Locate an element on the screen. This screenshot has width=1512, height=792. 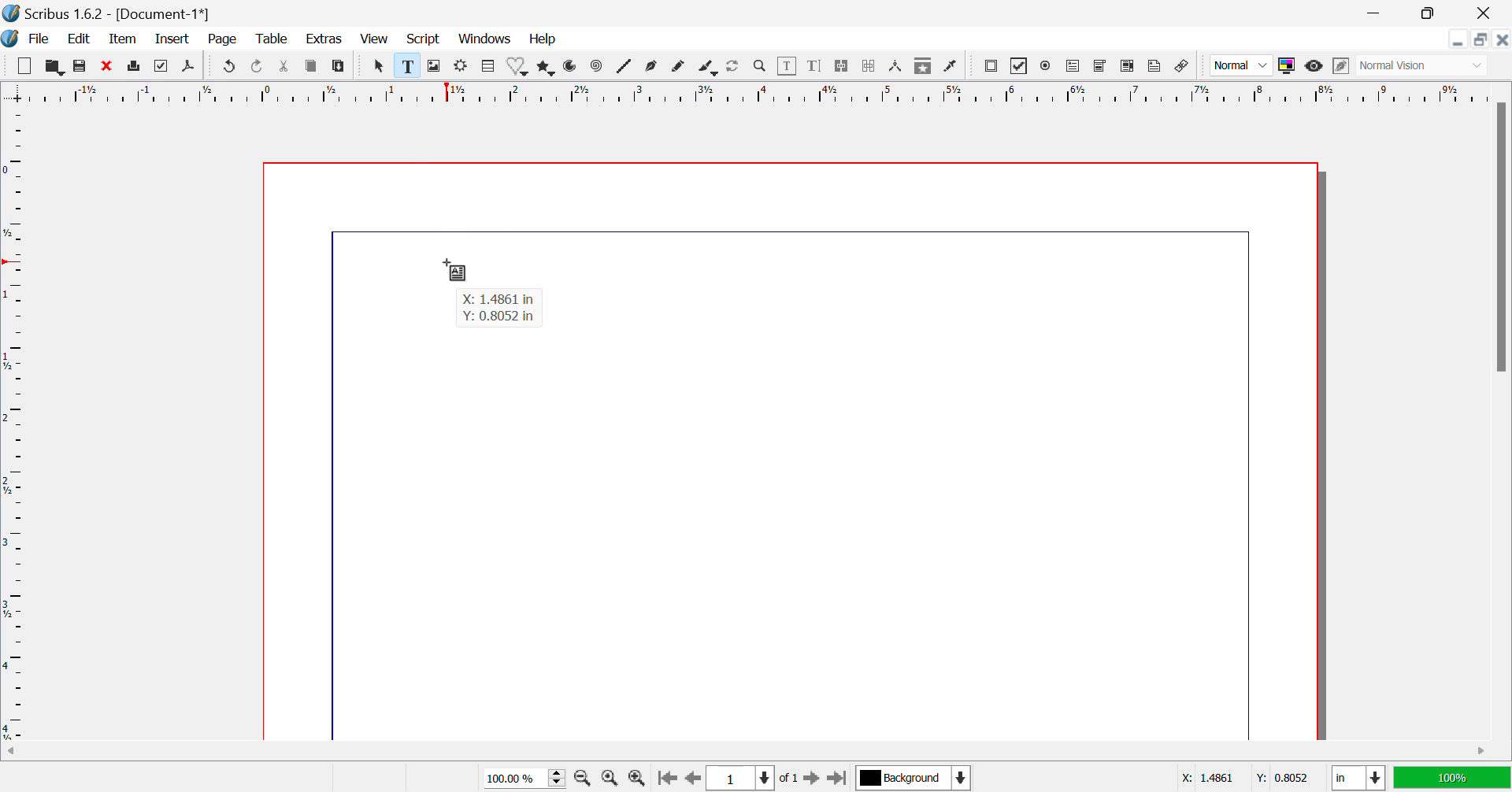
Minimize is located at coordinates (1429, 12).